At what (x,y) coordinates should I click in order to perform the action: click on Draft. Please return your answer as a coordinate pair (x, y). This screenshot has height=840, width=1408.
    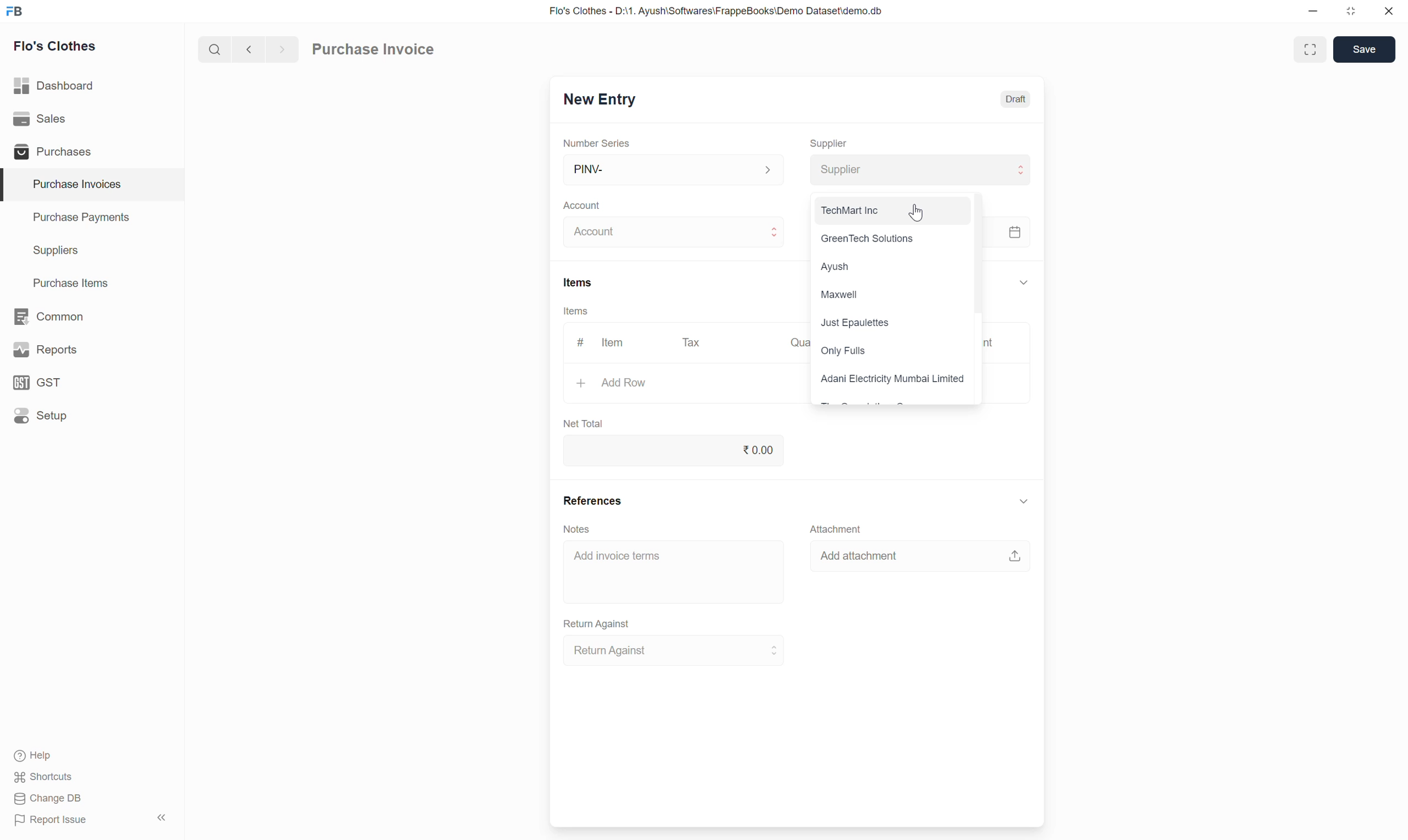
    Looking at the image, I should click on (1016, 100).